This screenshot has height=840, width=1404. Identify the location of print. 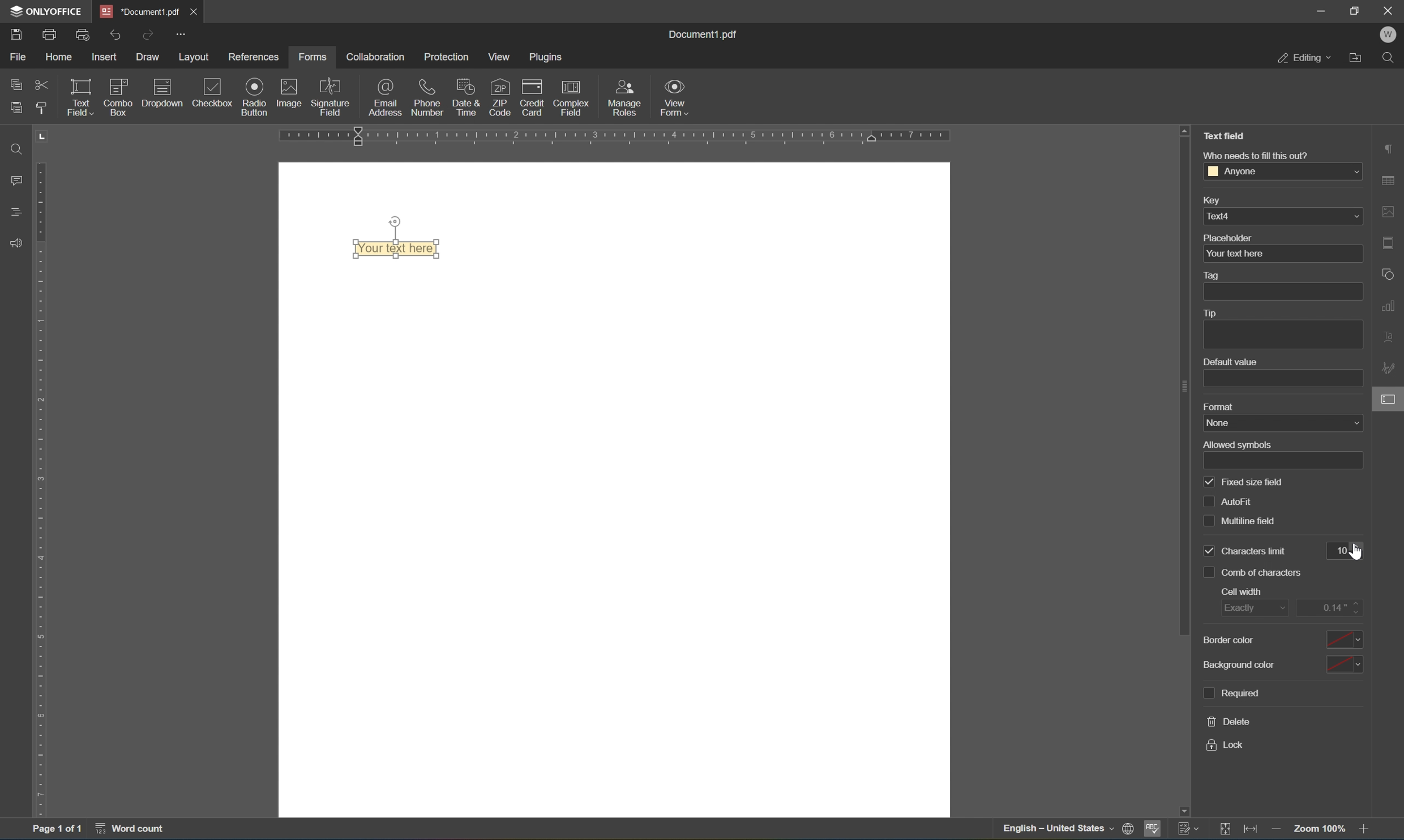
(50, 32).